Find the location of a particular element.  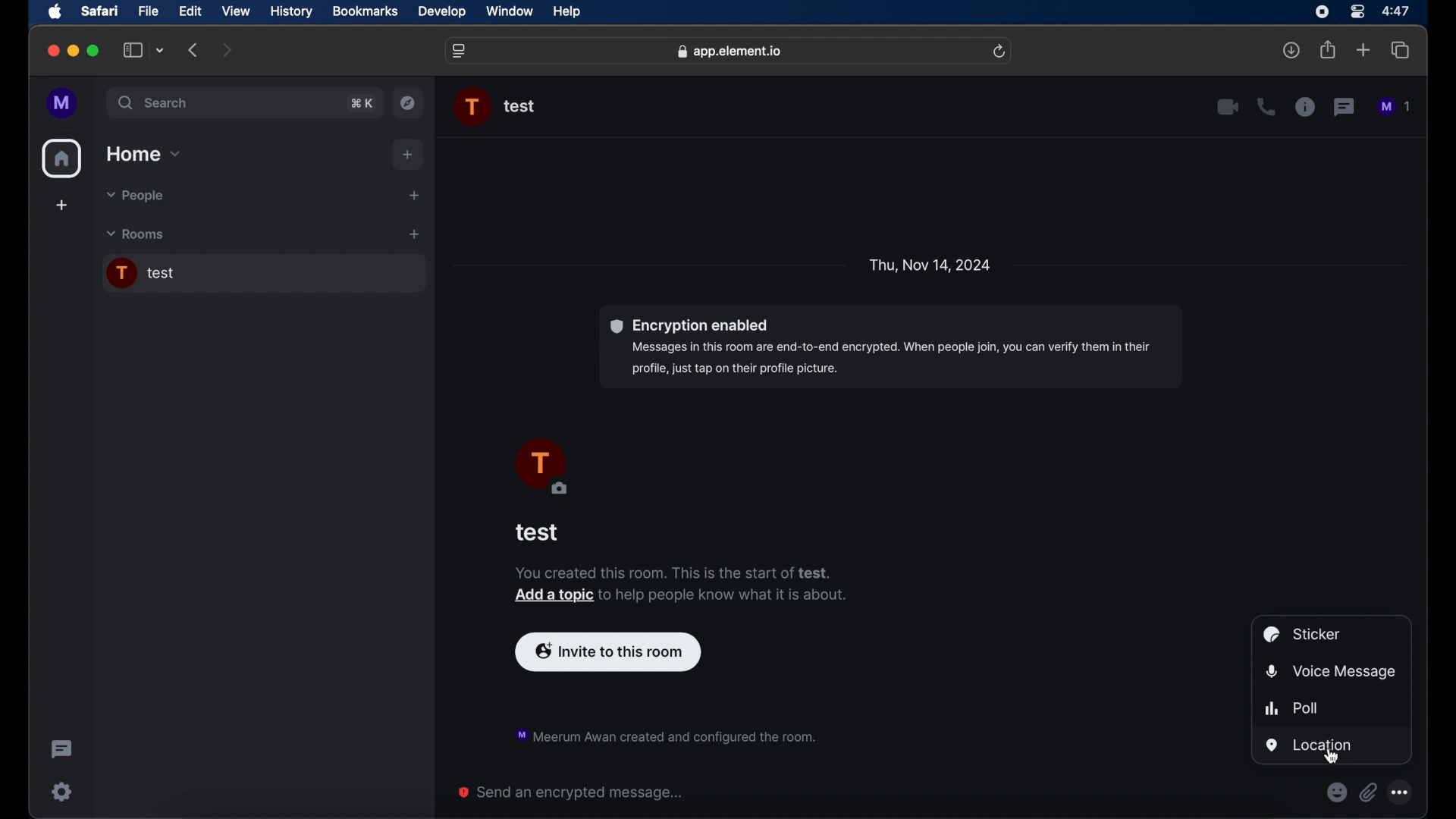

view is located at coordinates (237, 11).